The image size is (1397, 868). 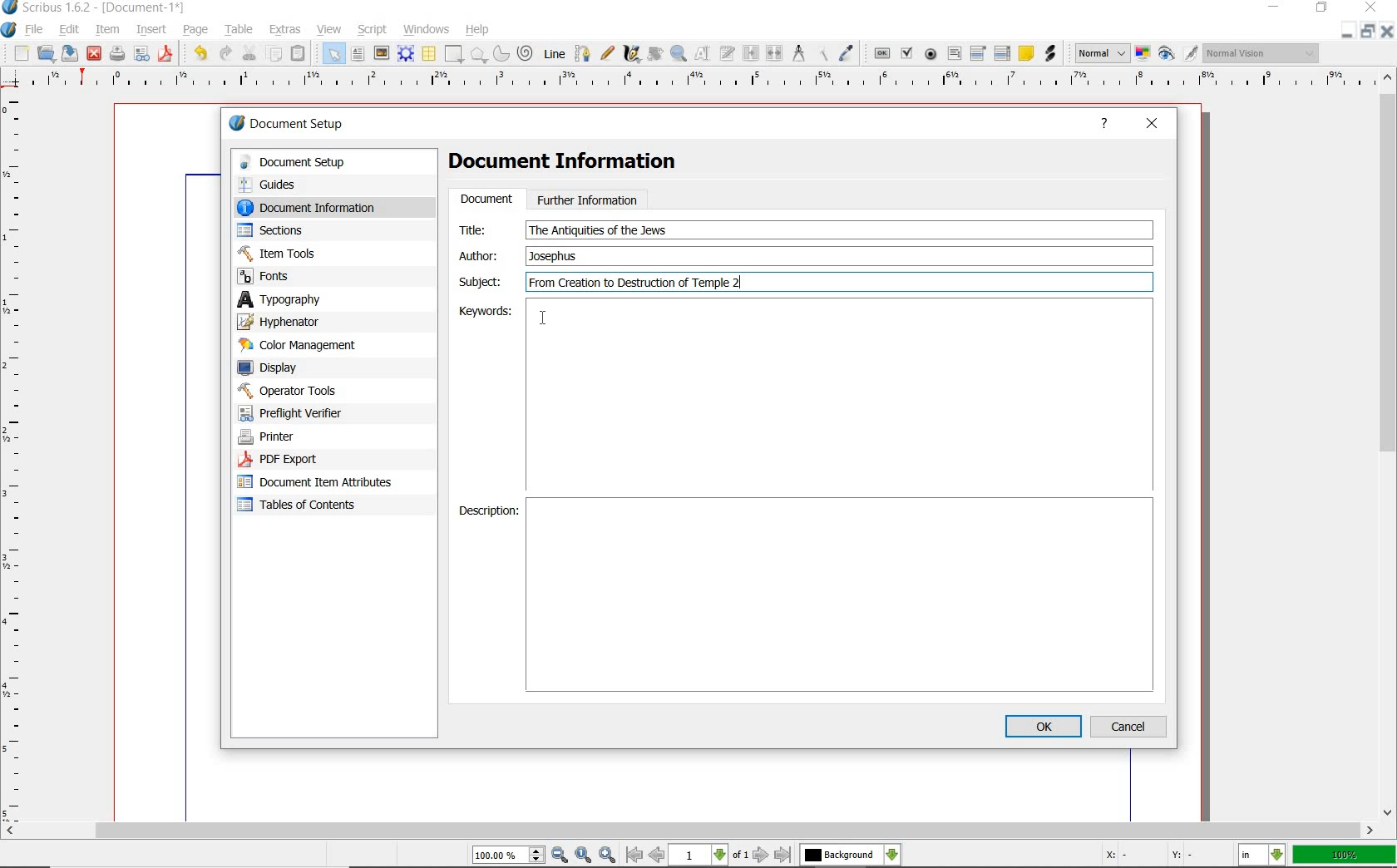 I want to click on minimize, so click(x=1272, y=7).